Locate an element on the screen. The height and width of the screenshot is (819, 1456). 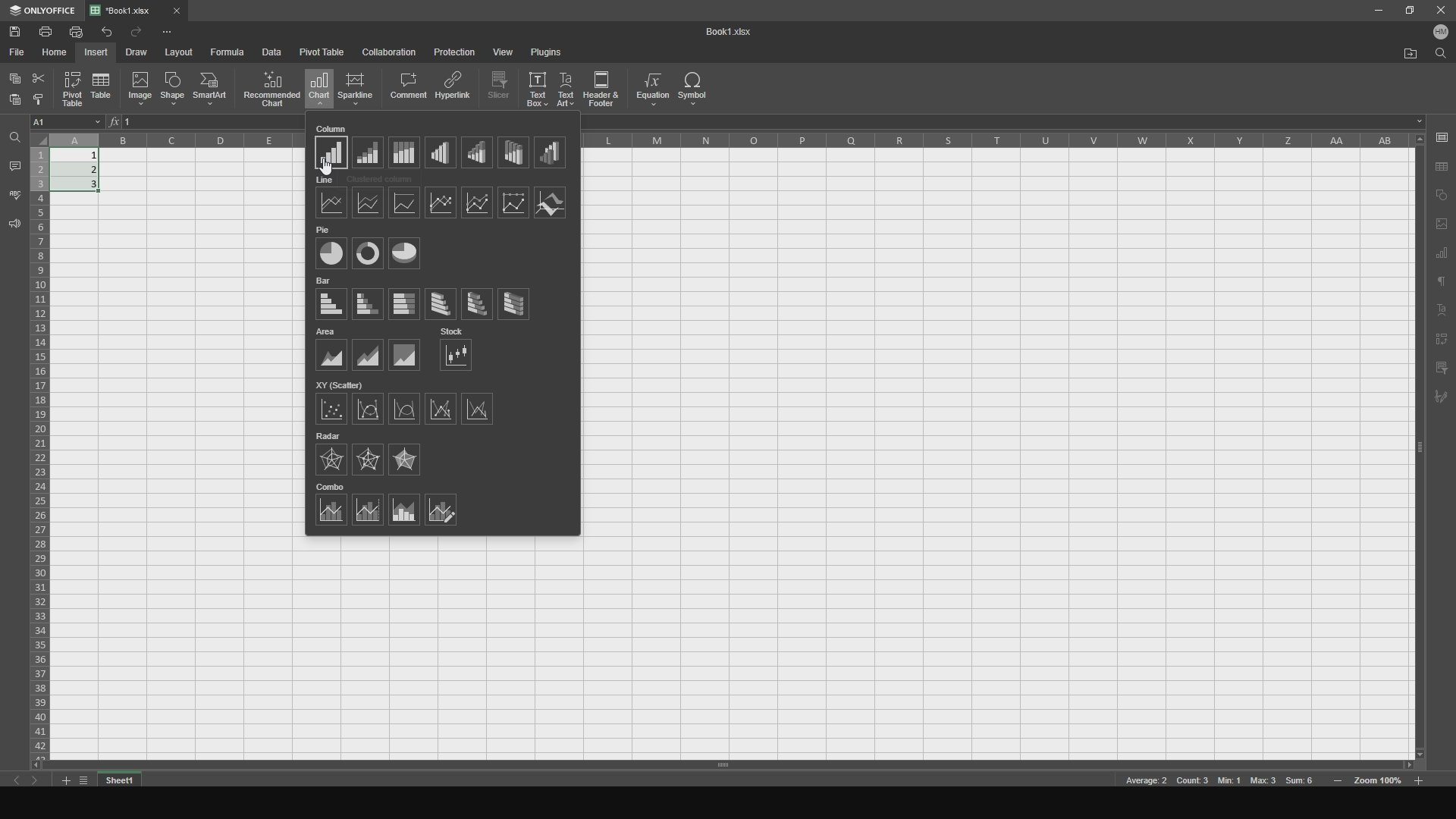
table is located at coordinates (101, 88).